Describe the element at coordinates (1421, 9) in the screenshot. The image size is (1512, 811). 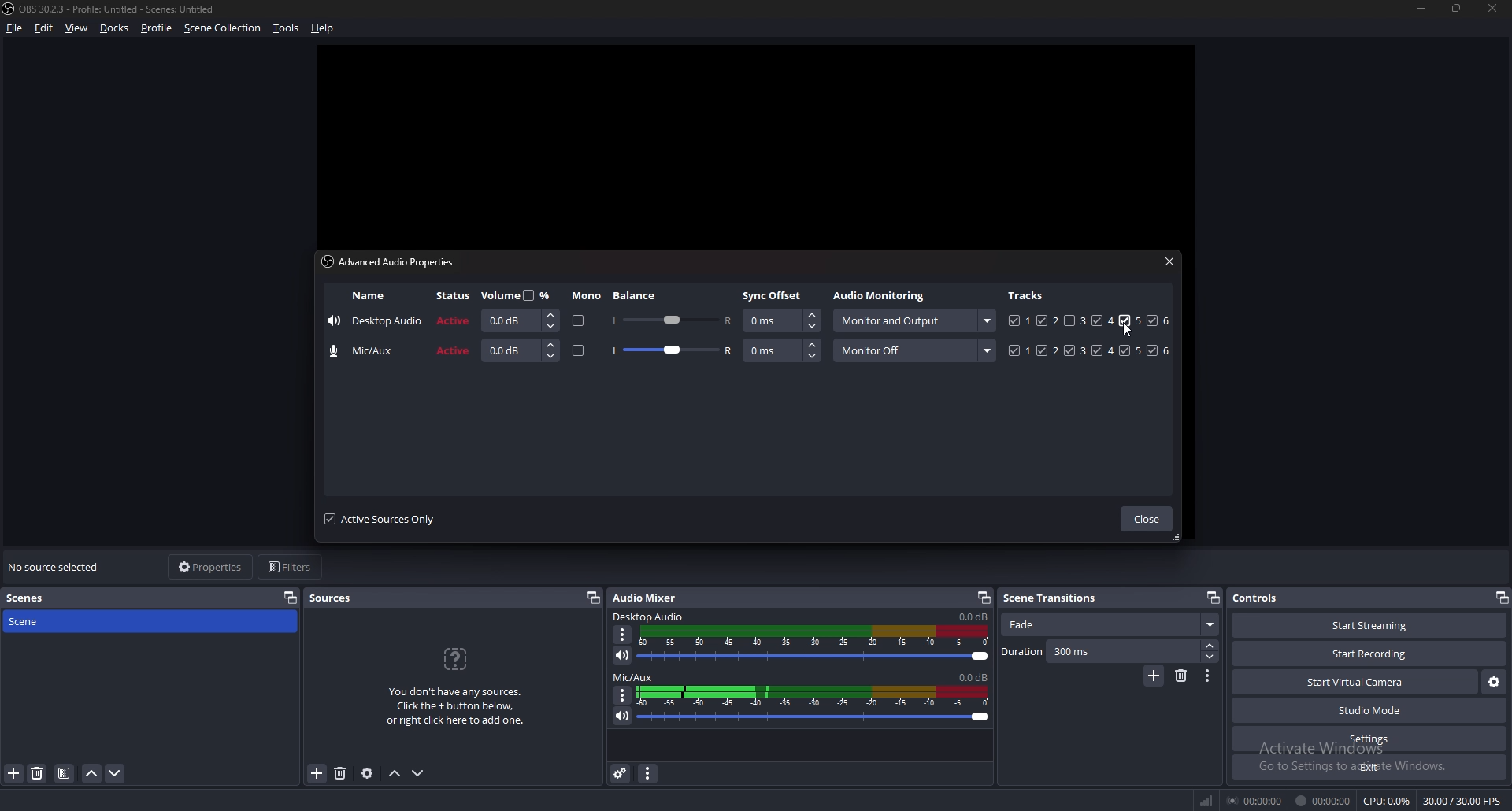
I see `minimize` at that location.